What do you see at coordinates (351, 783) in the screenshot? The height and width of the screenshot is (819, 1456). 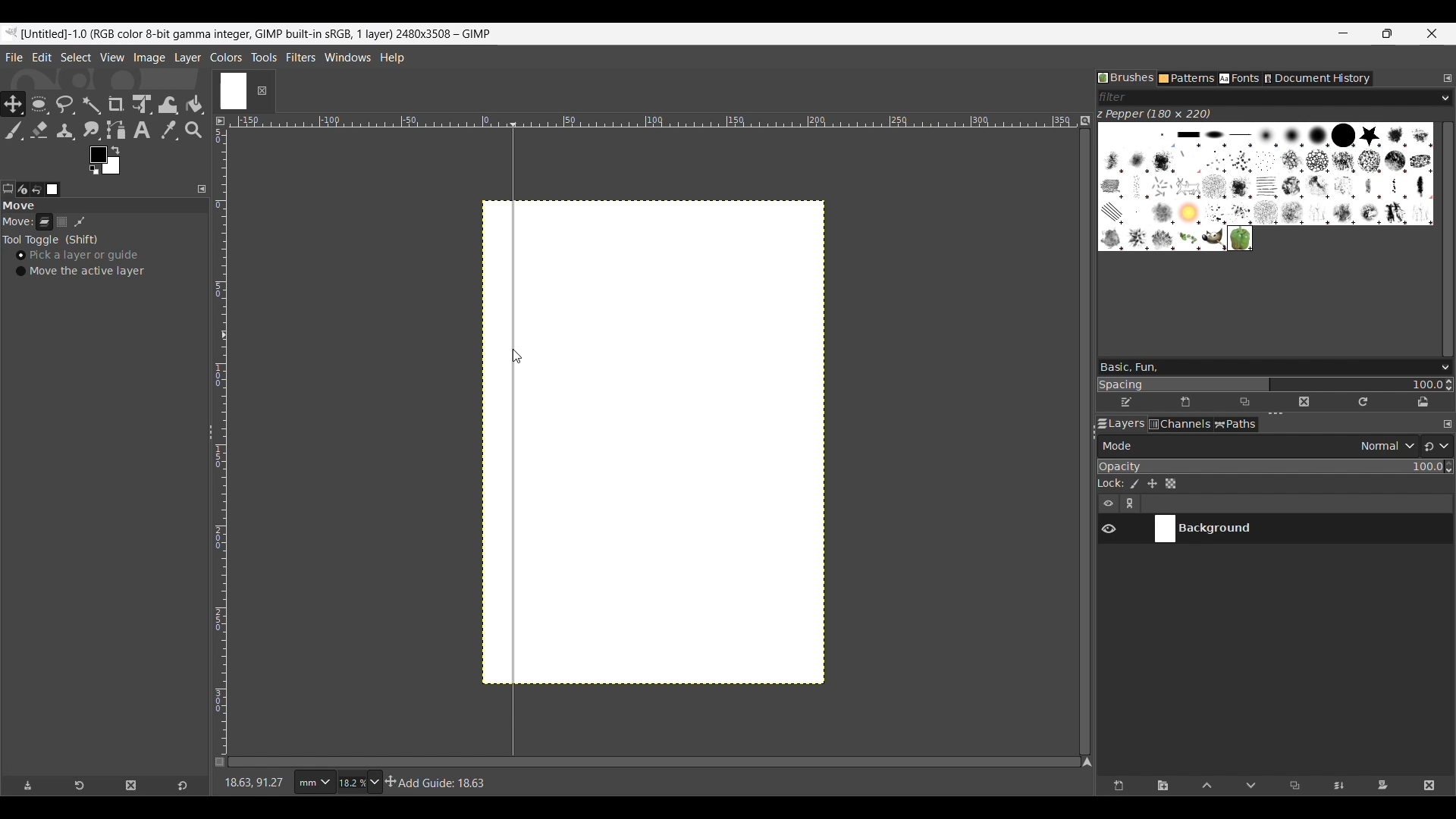 I see `Current zoom factor` at bounding box center [351, 783].